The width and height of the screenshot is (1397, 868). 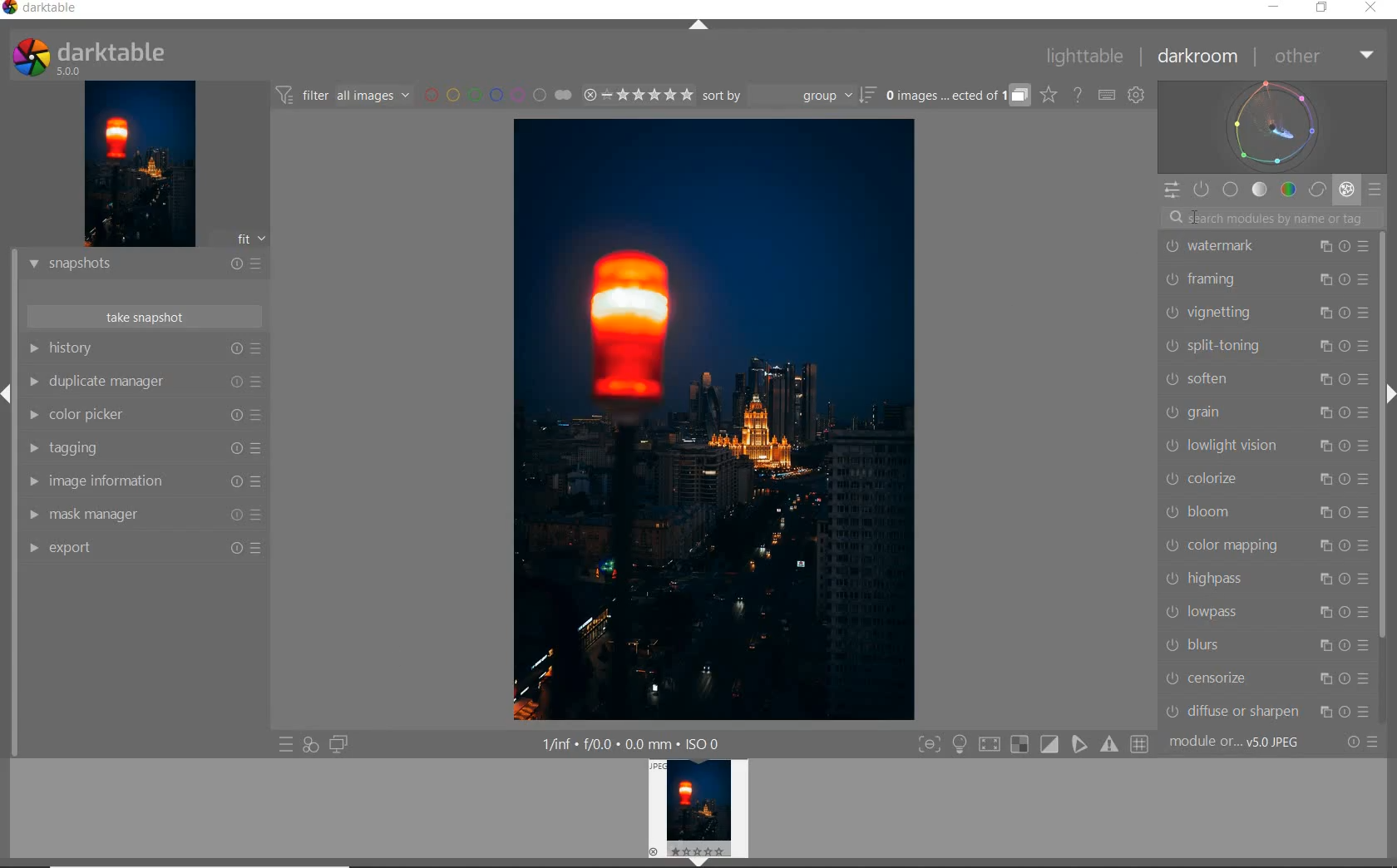 I want to click on , so click(x=234, y=448).